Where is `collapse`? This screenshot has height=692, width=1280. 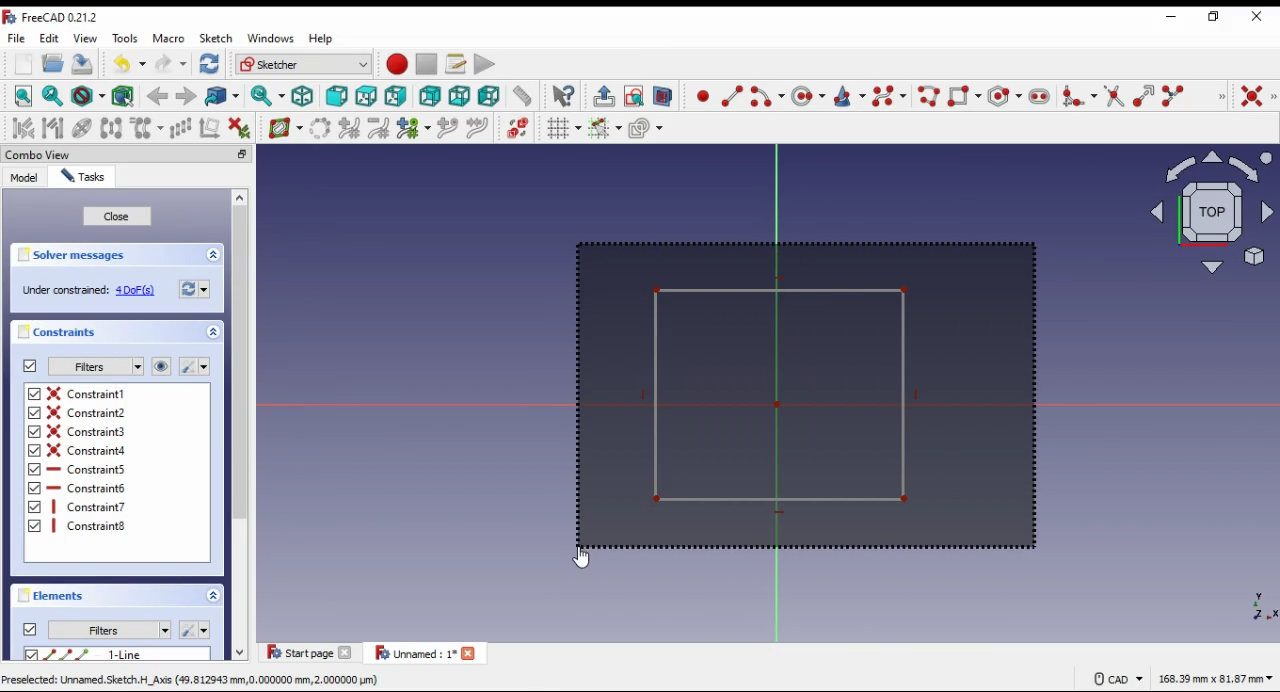
collapse is located at coordinates (213, 255).